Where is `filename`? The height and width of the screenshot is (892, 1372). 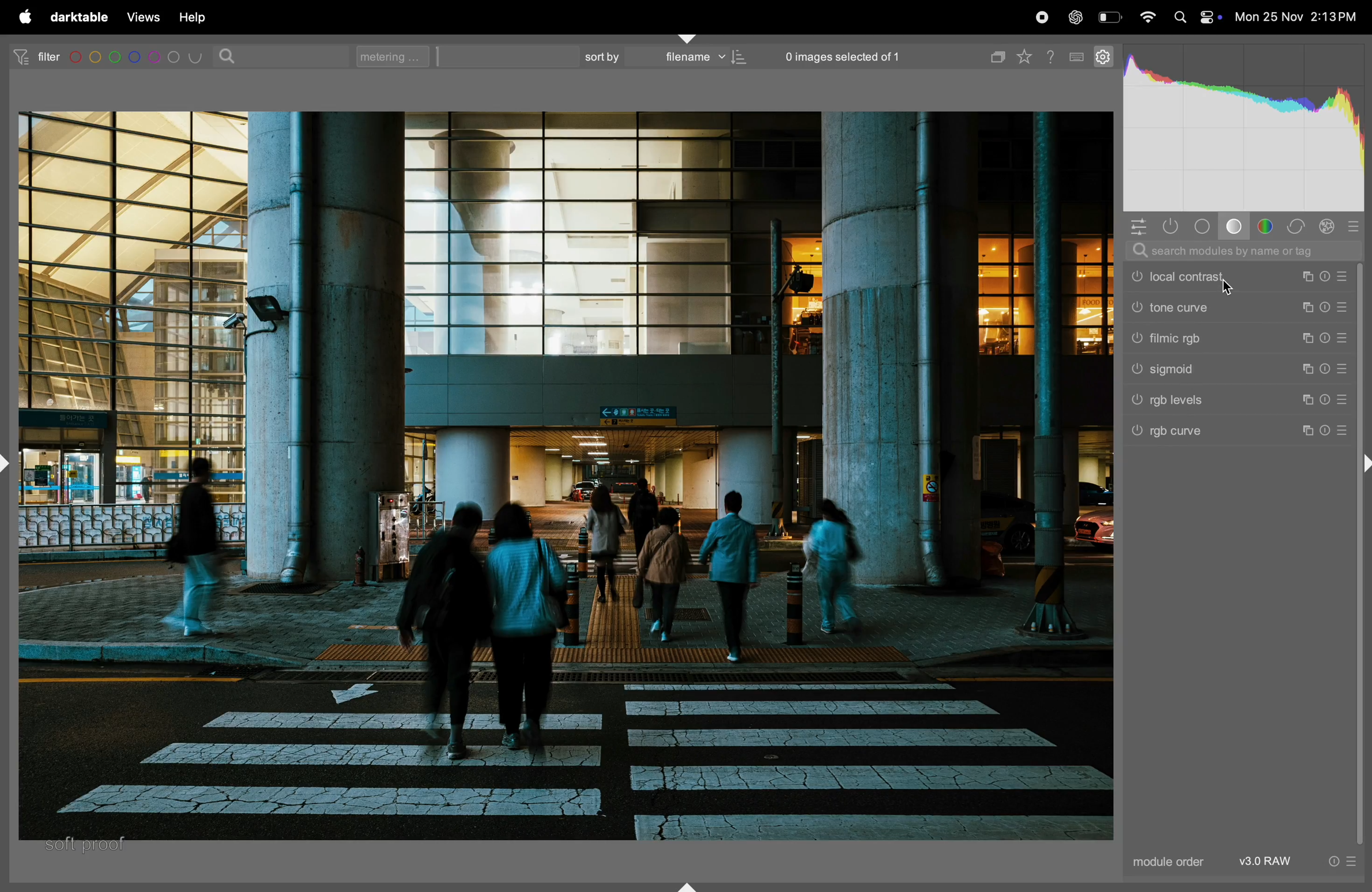
filename is located at coordinates (701, 58).